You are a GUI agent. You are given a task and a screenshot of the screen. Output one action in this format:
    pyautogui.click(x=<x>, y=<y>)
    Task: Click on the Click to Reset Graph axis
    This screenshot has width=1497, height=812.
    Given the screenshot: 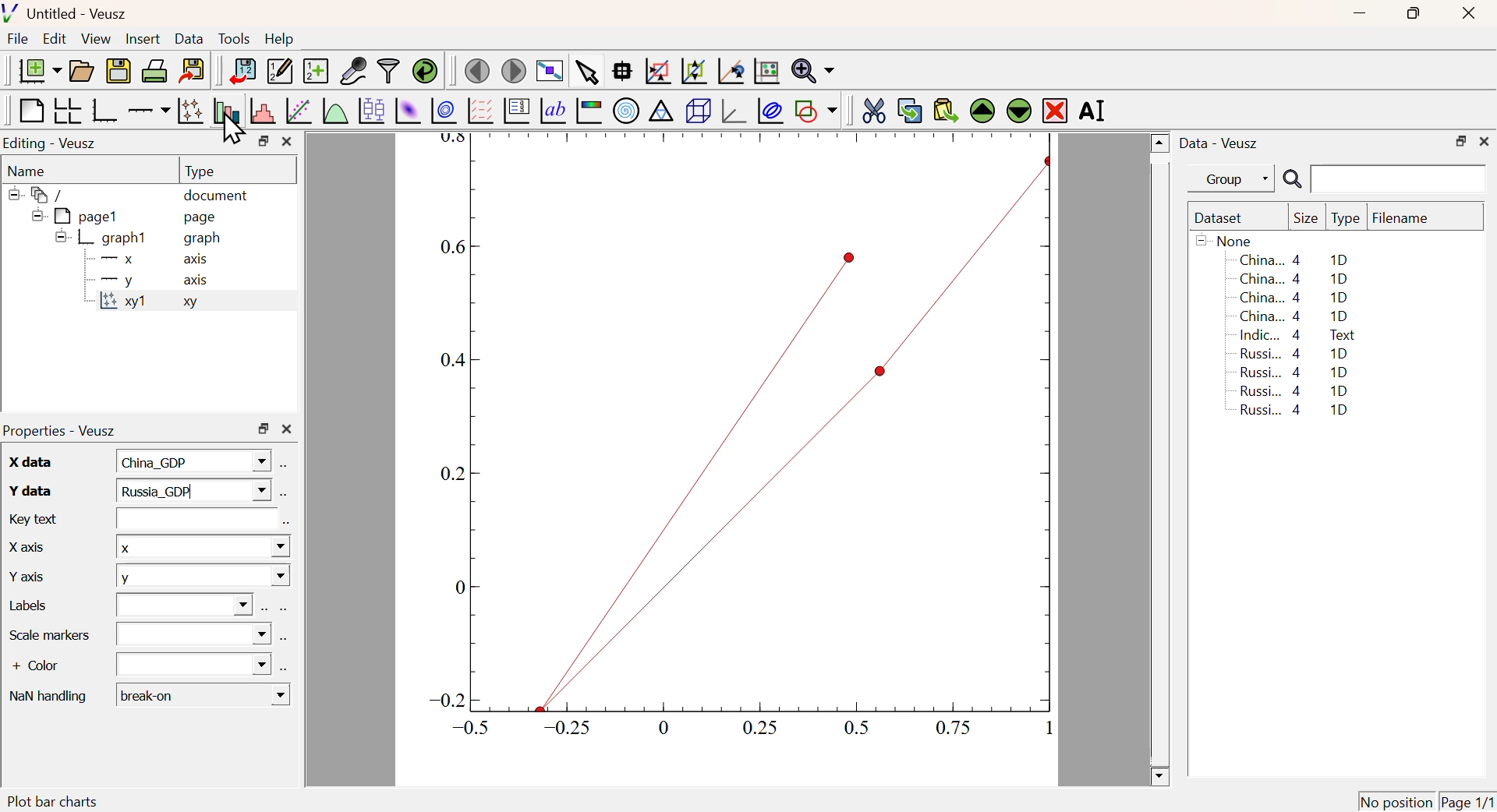 What is the action you would take?
    pyautogui.click(x=766, y=69)
    